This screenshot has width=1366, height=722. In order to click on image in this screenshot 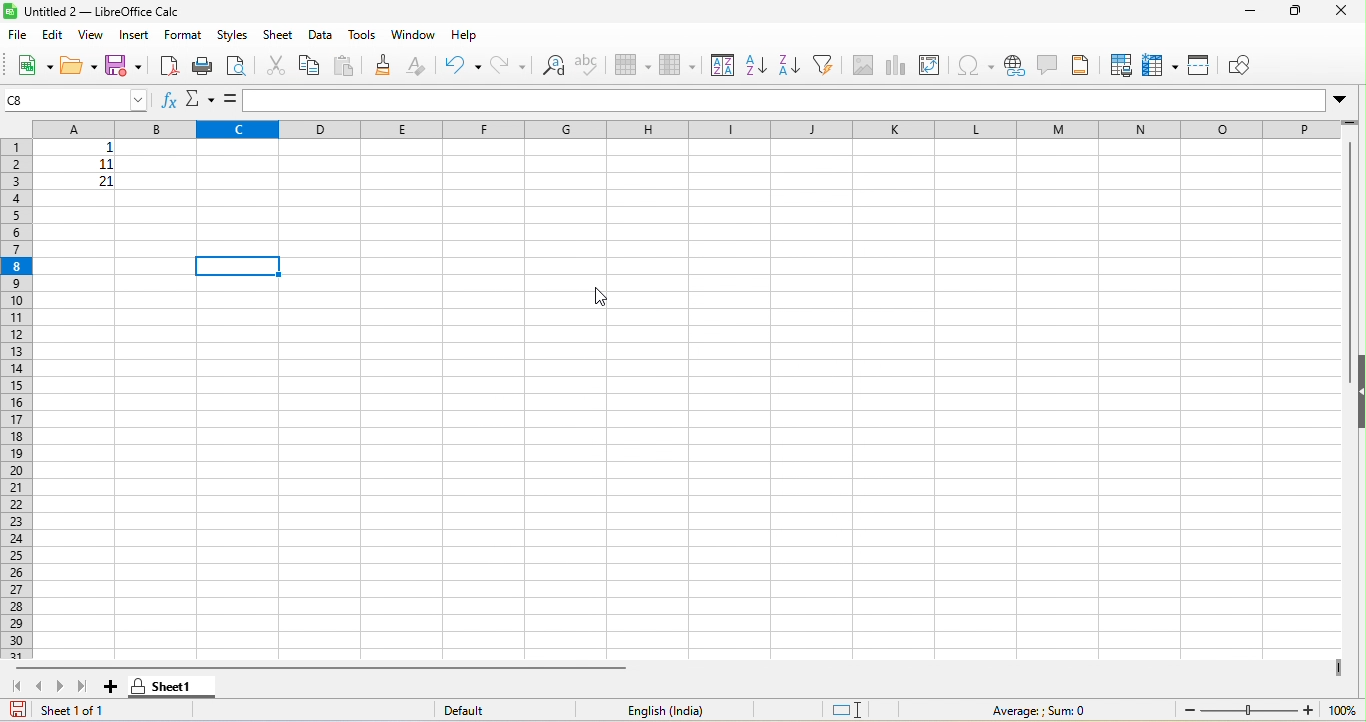, I will do `click(873, 65)`.